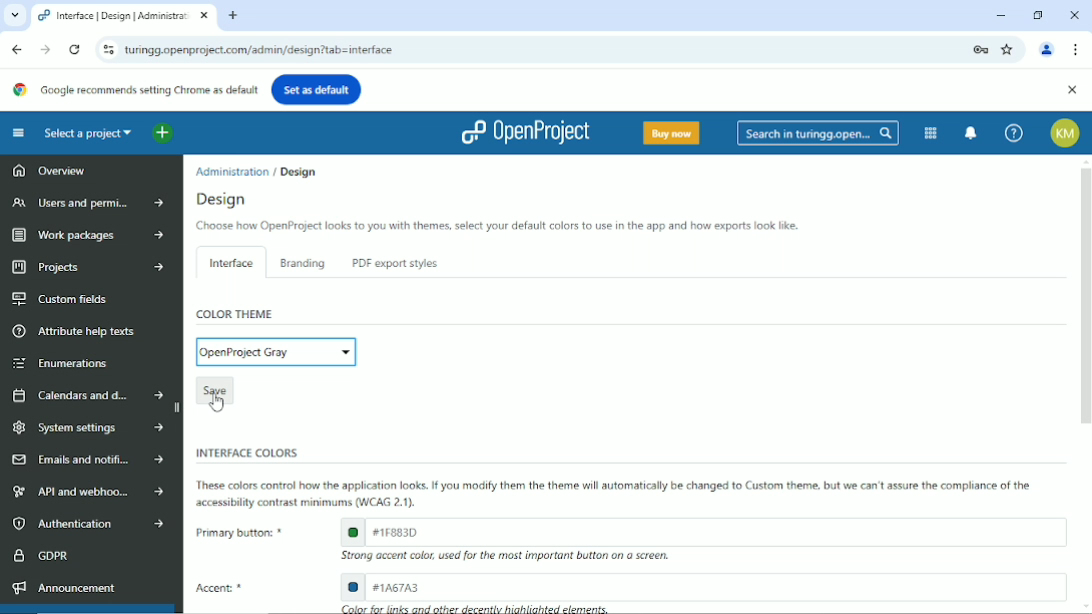 The height and width of the screenshot is (614, 1092). Describe the element at coordinates (1074, 13) in the screenshot. I see `Close` at that location.